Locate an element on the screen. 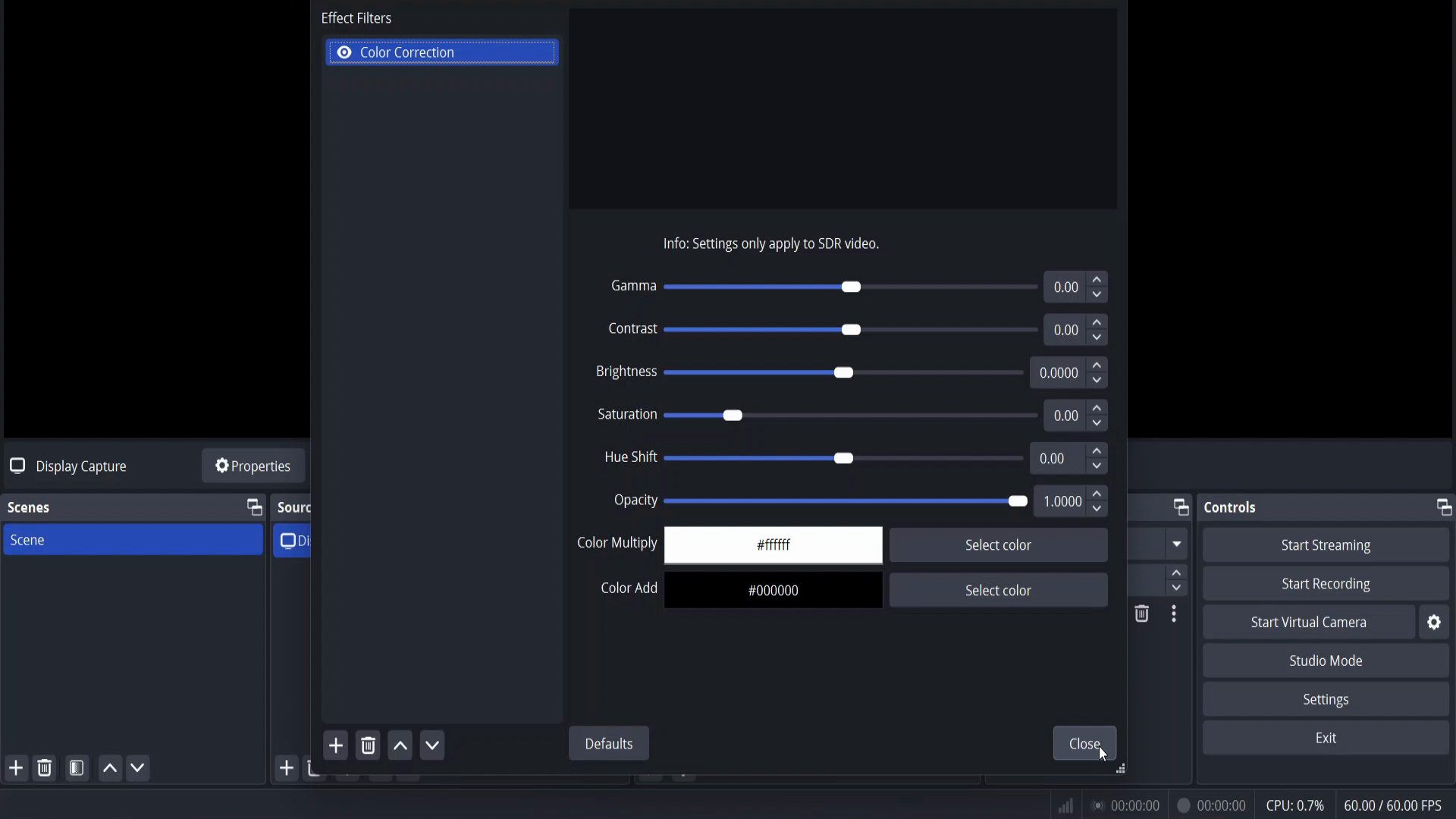 This screenshot has width=1456, height=819. change tab layout is located at coordinates (1442, 507).